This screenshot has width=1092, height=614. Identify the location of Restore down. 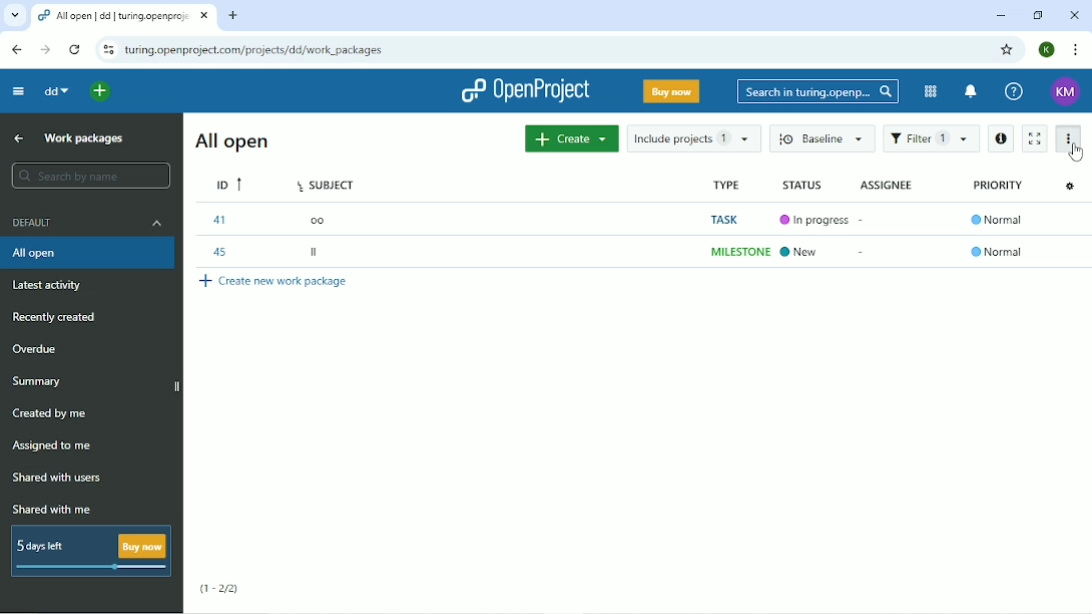
(1041, 16).